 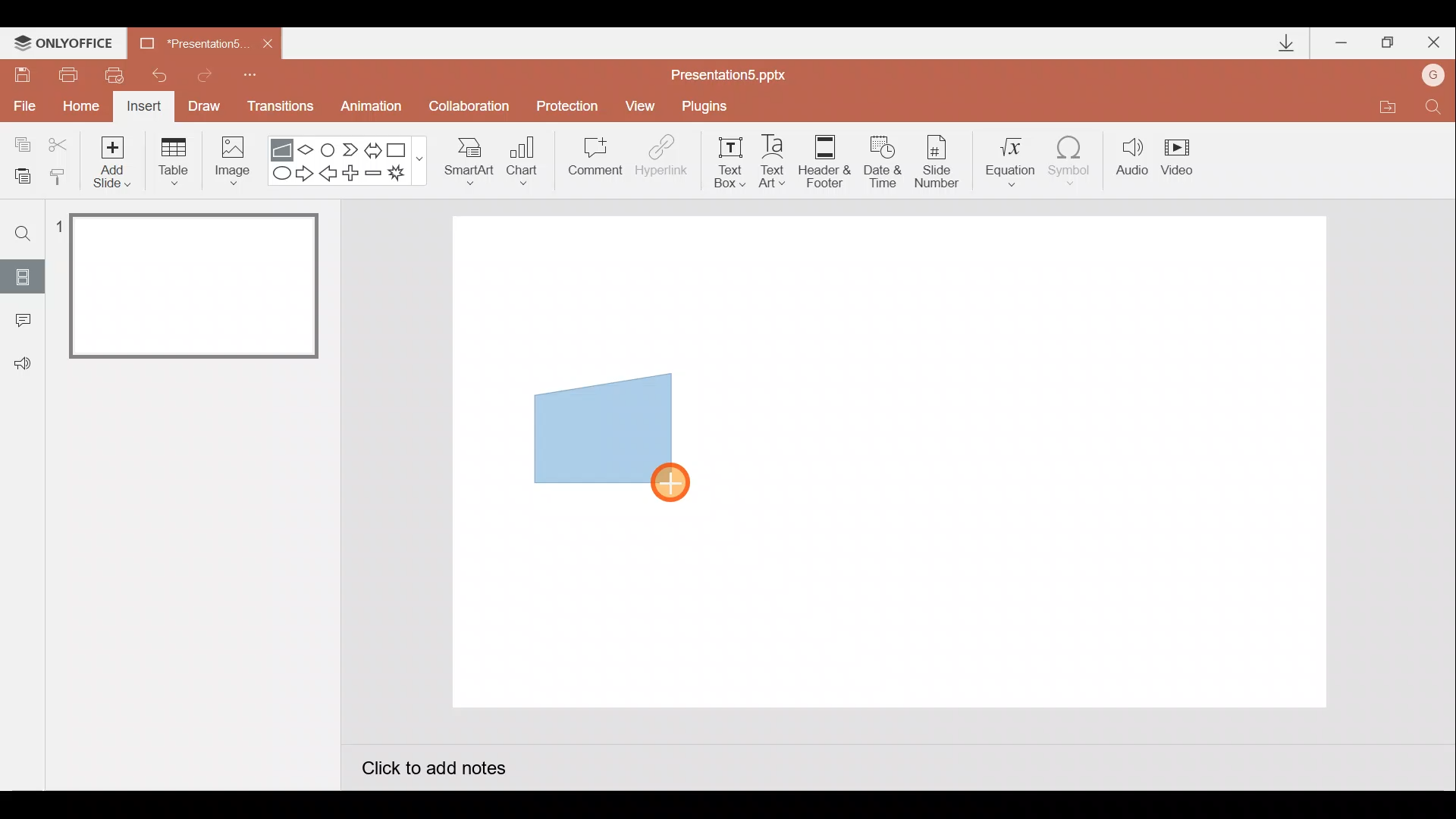 What do you see at coordinates (1434, 45) in the screenshot?
I see `Close` at bounding box center [1434, 45].